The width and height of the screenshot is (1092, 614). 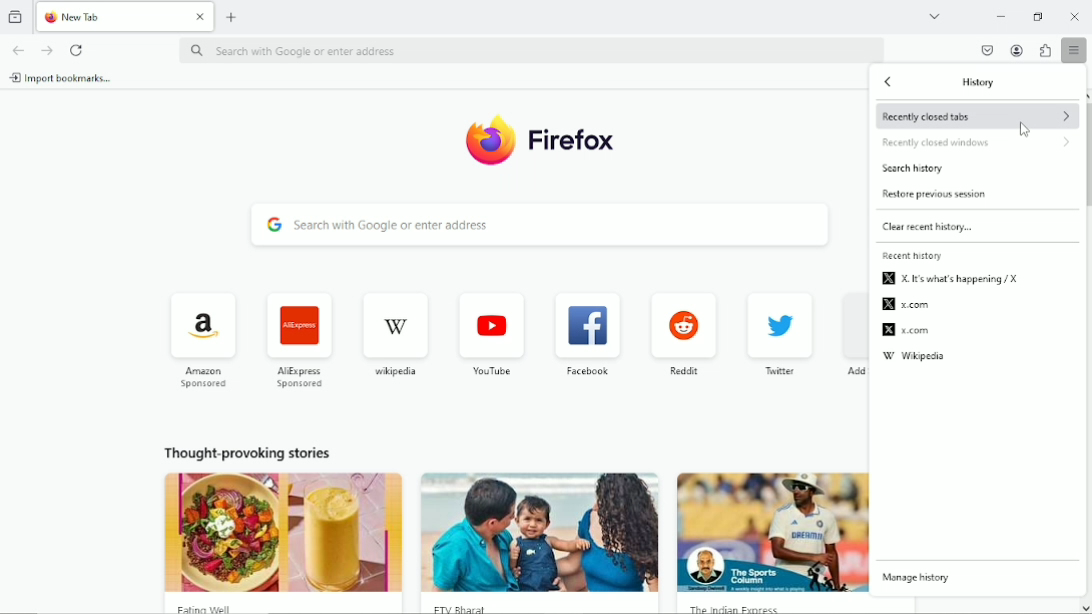 What do you see at coordinates (67, 79) in the screenshot?
I see `import bookmarks` at bounding box center [67, 79].